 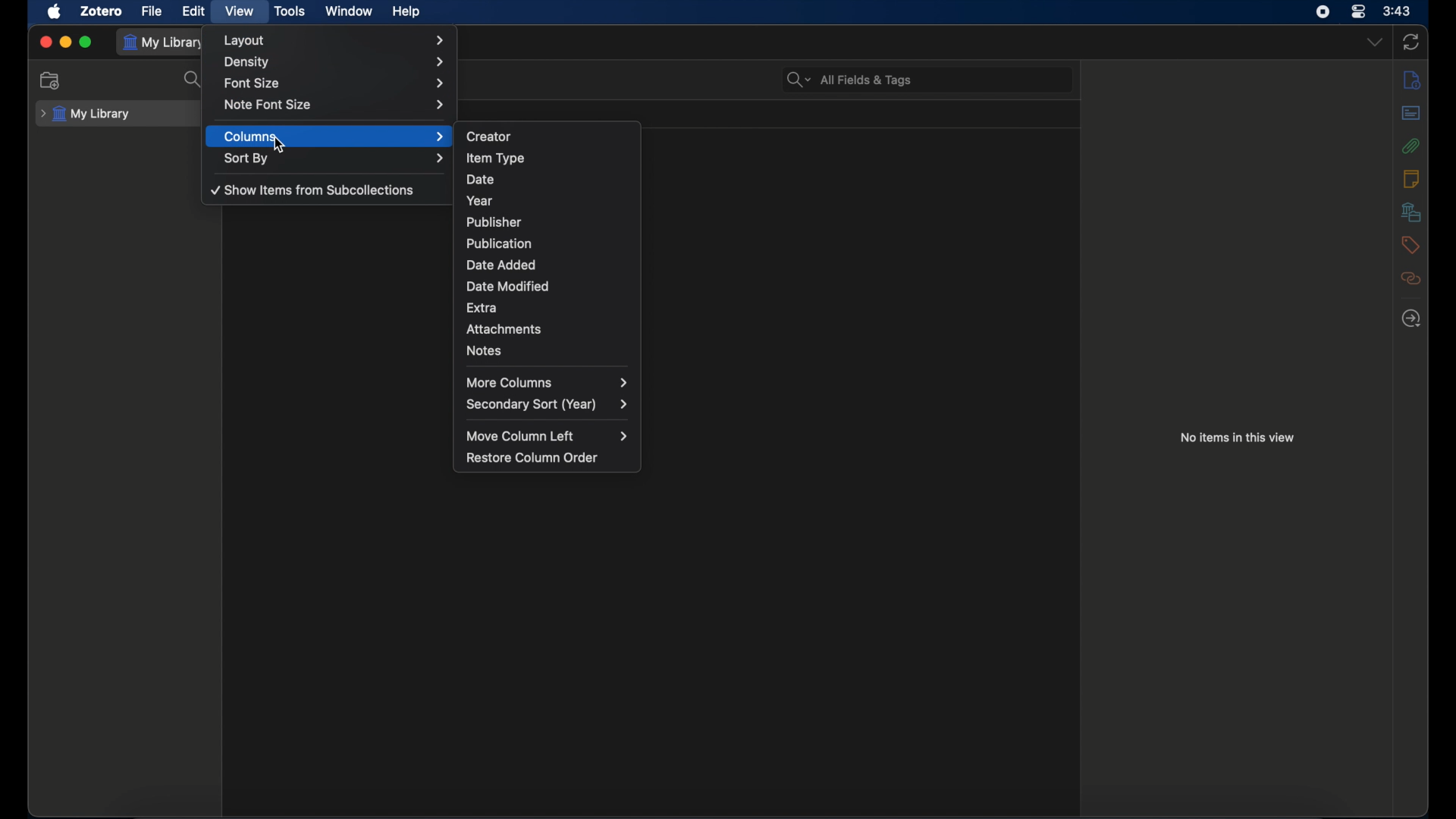 I want to click on abstract, so click(x=1411, y=113).